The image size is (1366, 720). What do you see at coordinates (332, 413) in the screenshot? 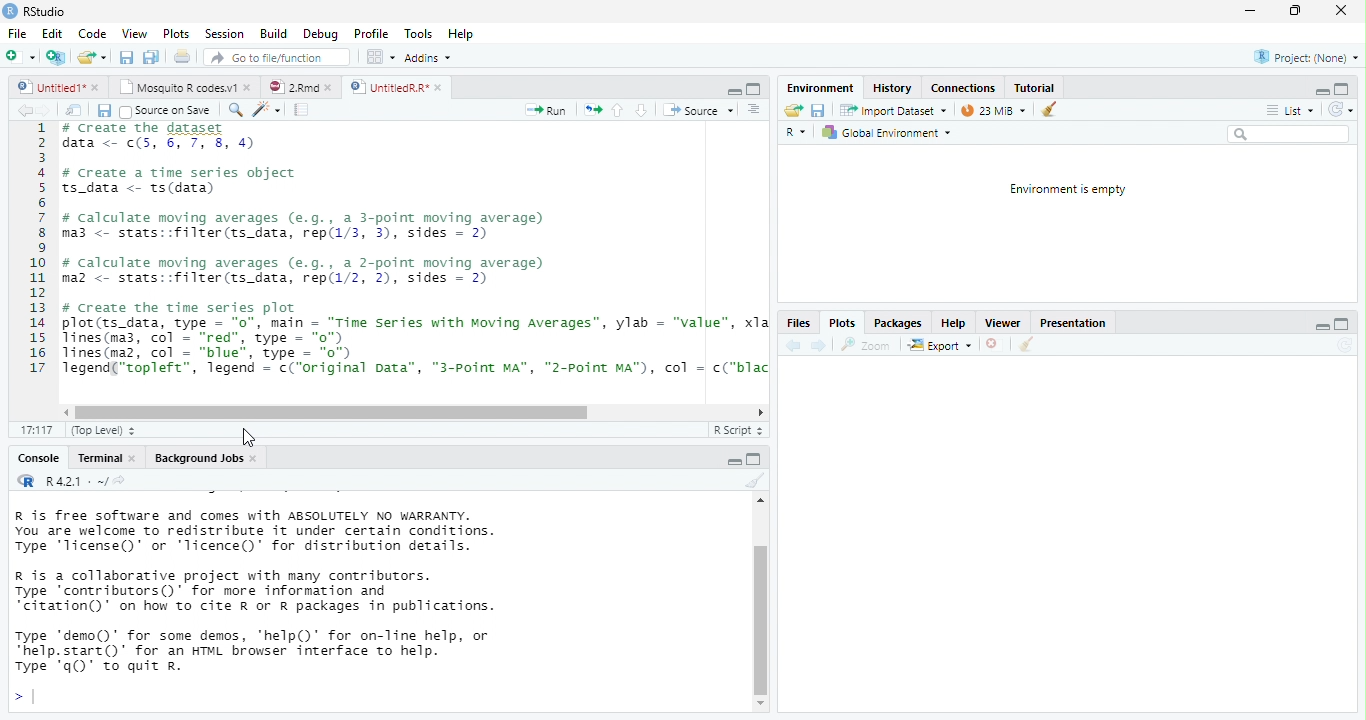
I see `horizontal scrollbar` at bounding box center [332, 413].